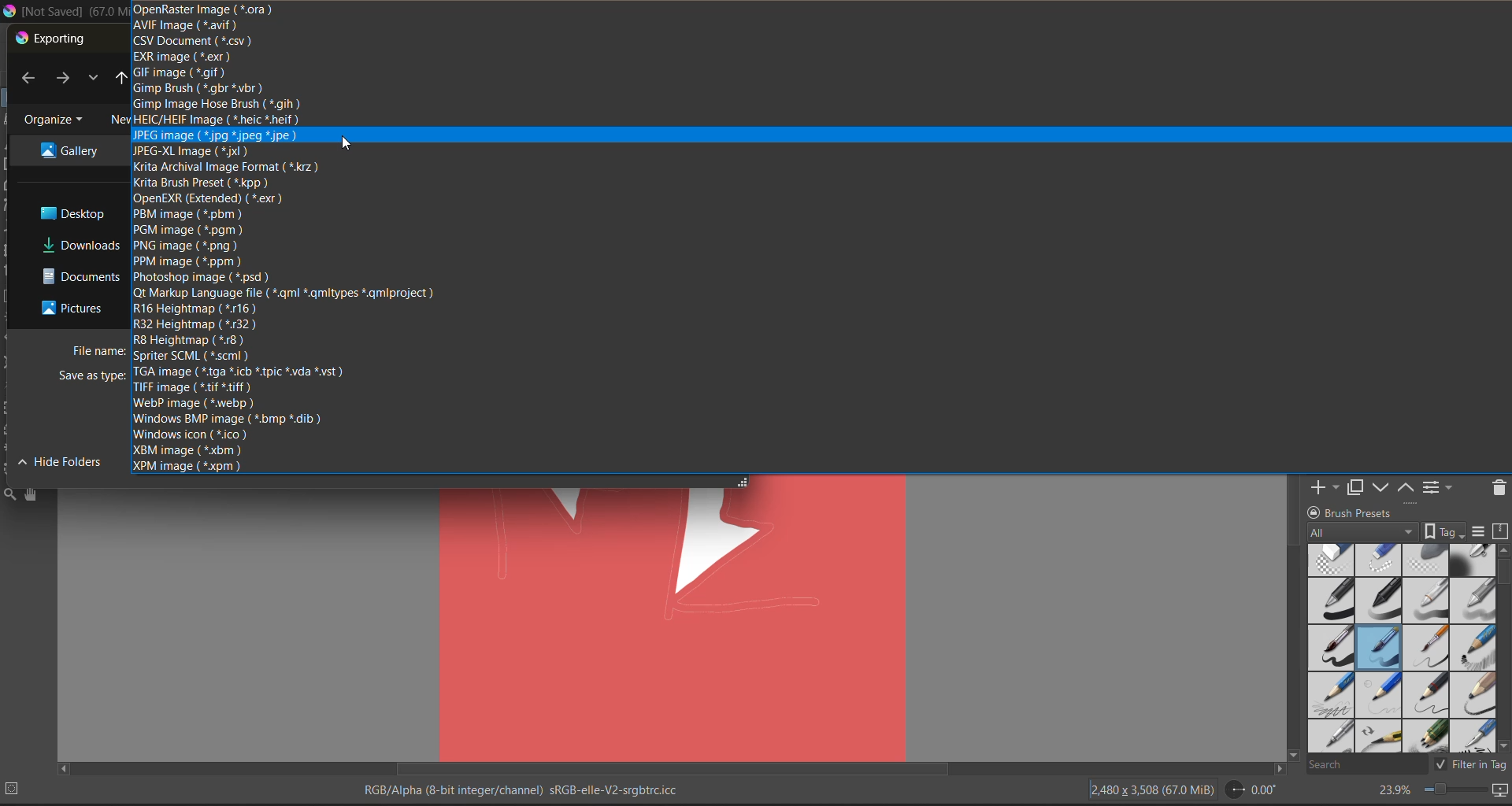 This screenshot has height=806, width=1512. What do you see at coordinates (205, 262) in the screenshot?
I see `ppm image` at bounding box center [205, 262].